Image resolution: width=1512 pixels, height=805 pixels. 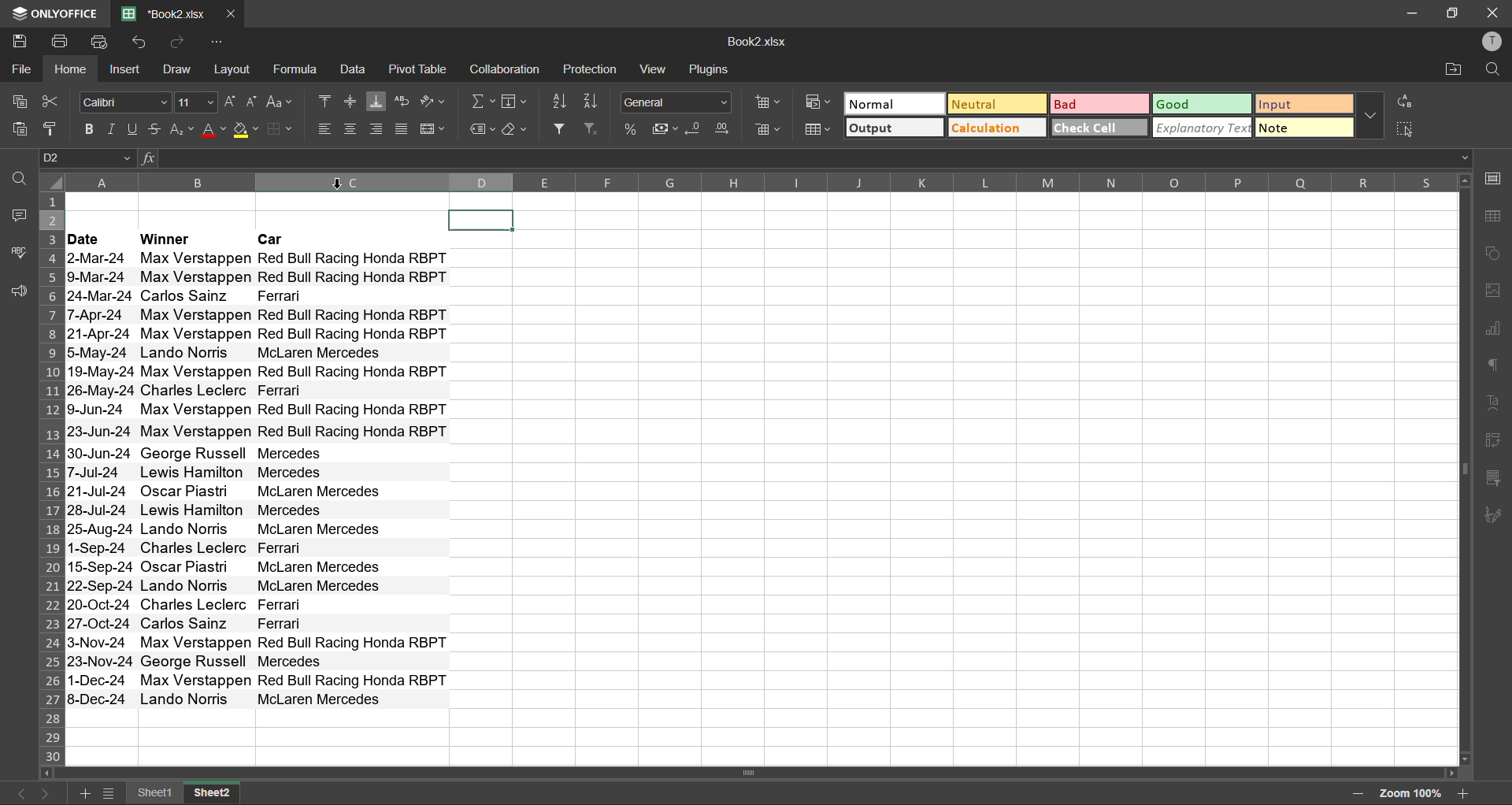 I want to click on font color, so click(x=213, y=131).